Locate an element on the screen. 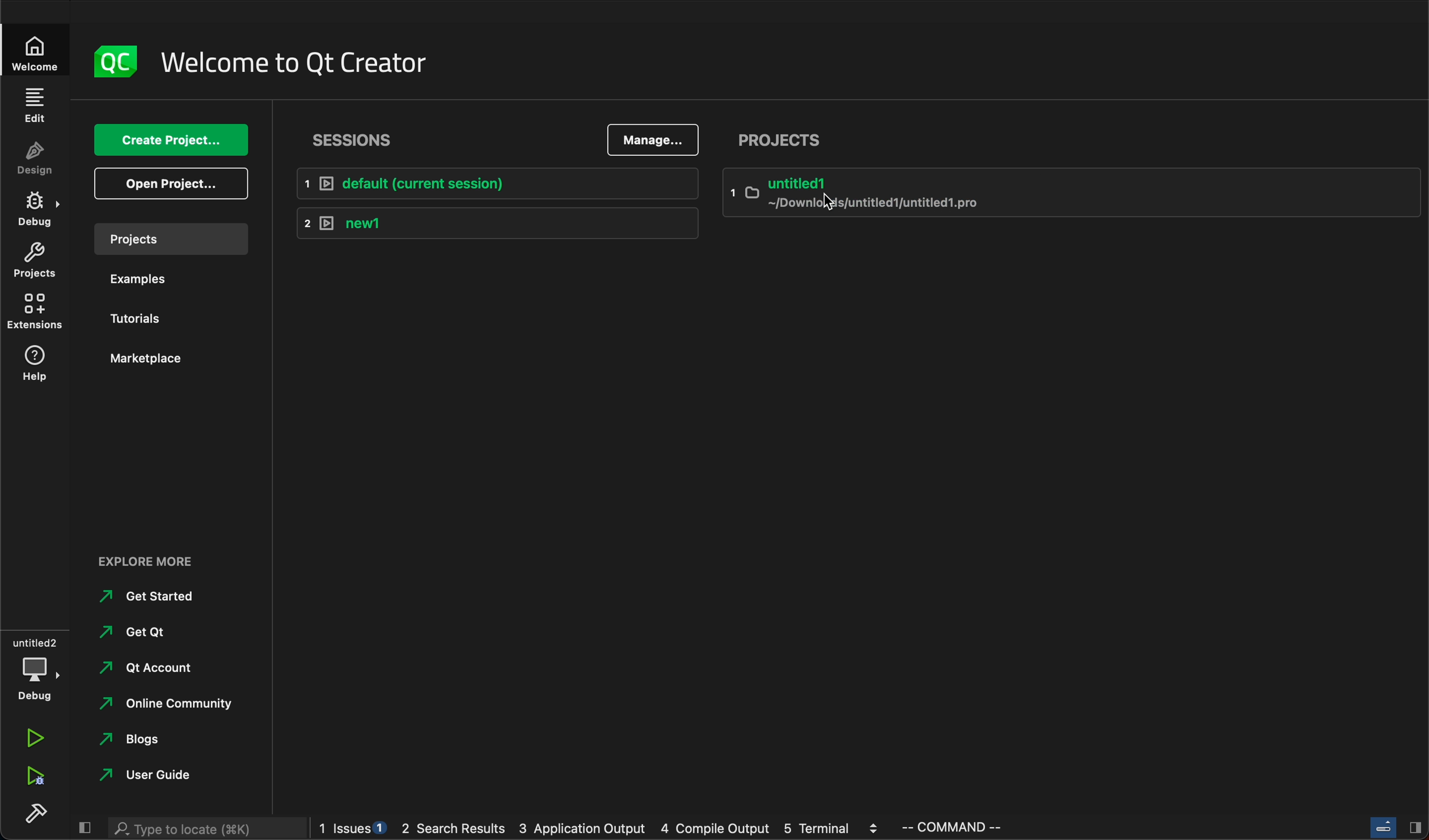 This screenshot has height=840, width=1429. search is located at coordinates (206, 829).